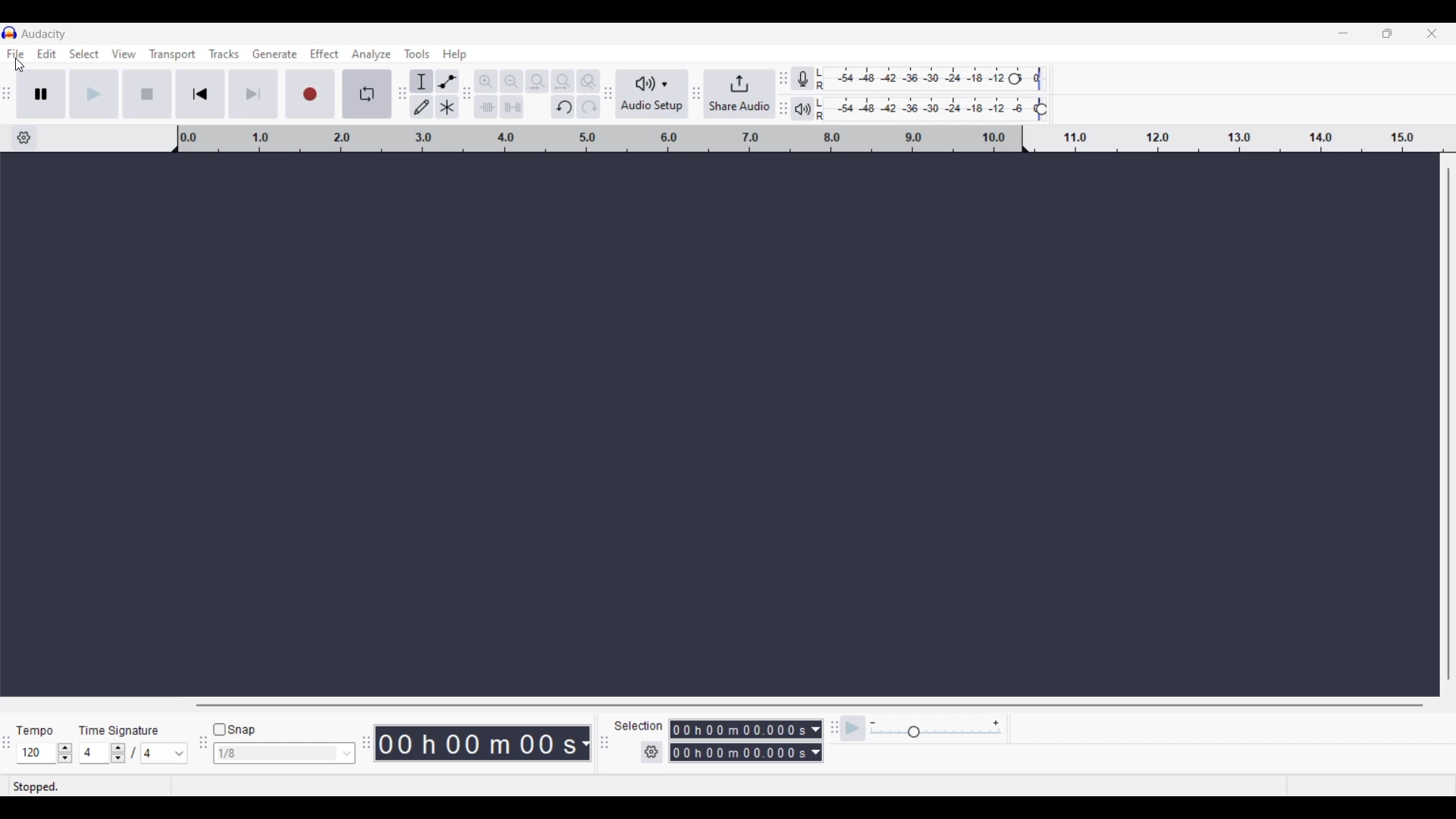 Image resolution: width=1456 pixels, height=819 pixels. I want to click on Tracks menu, so click(225, 54).